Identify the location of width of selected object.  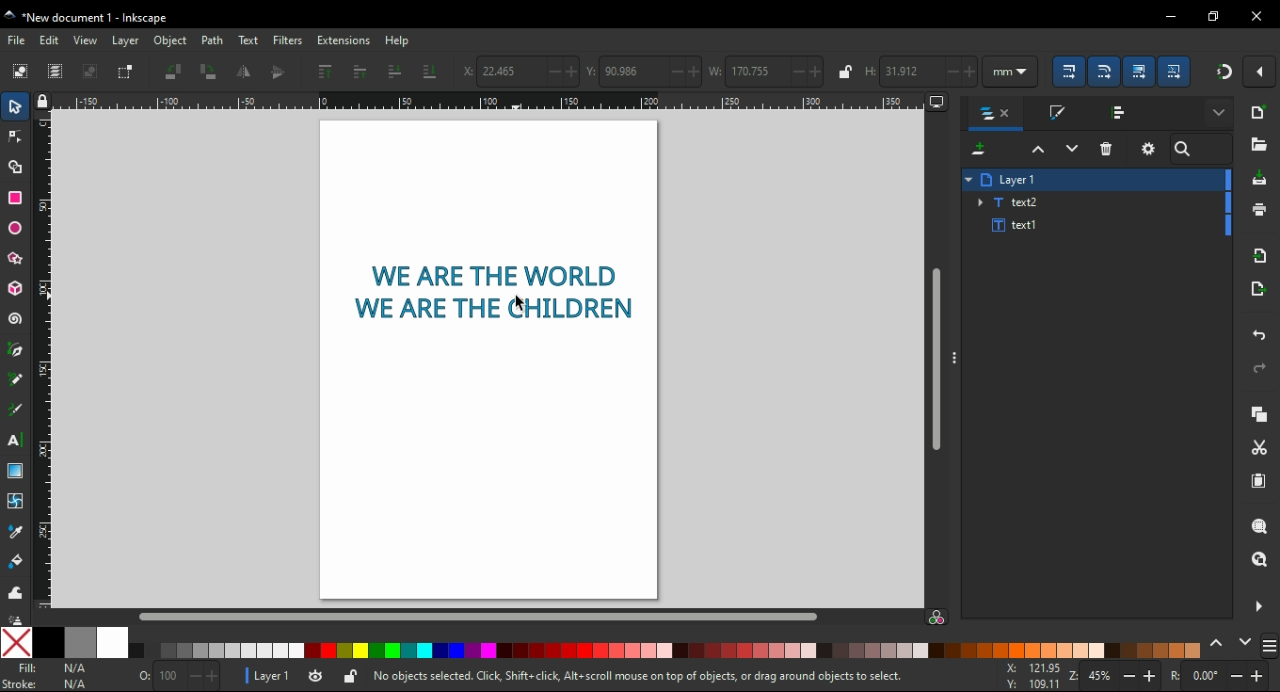
(766, 70).